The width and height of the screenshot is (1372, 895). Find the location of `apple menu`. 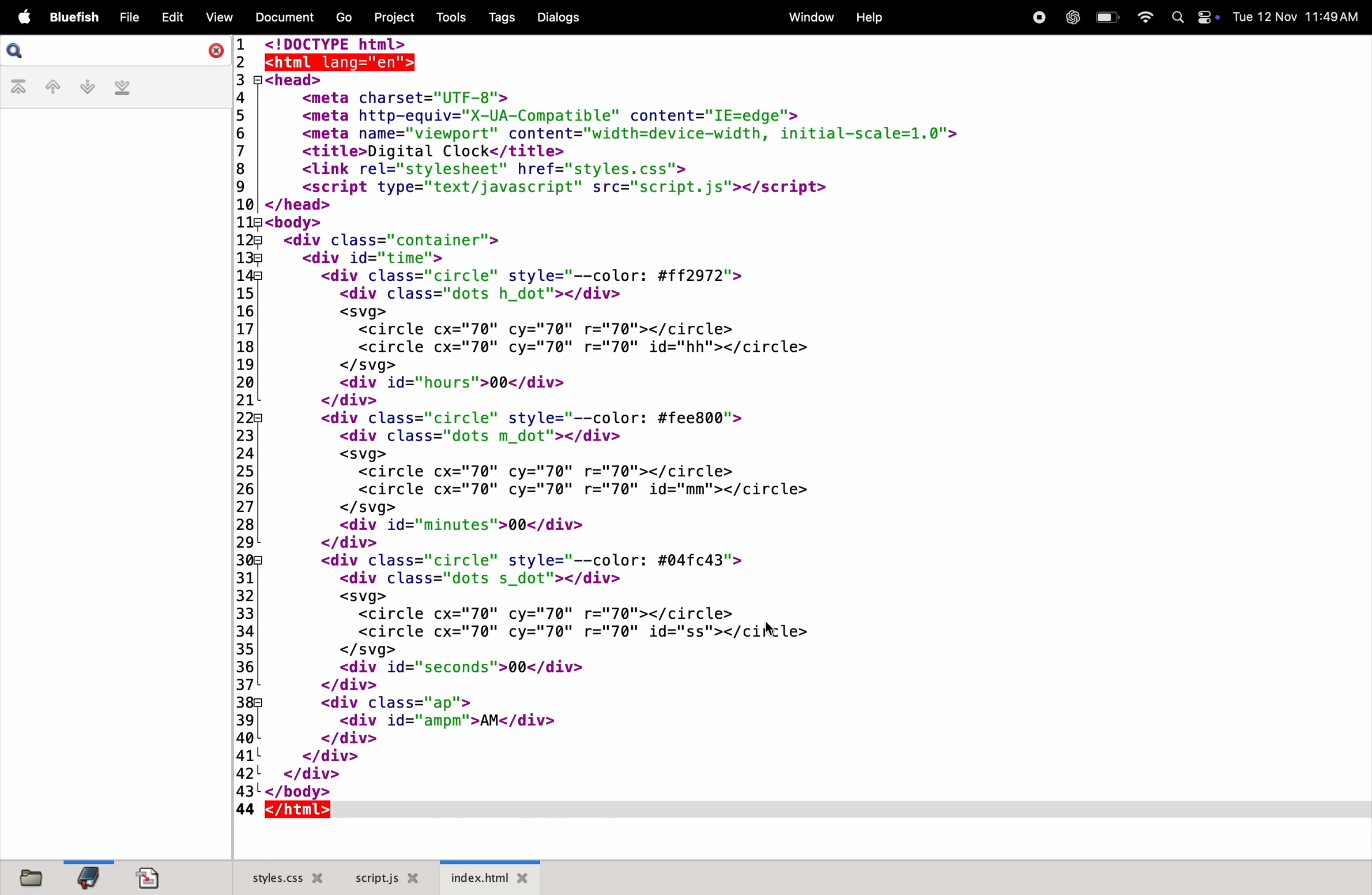

apple menu is located at coordinates (20, 17).